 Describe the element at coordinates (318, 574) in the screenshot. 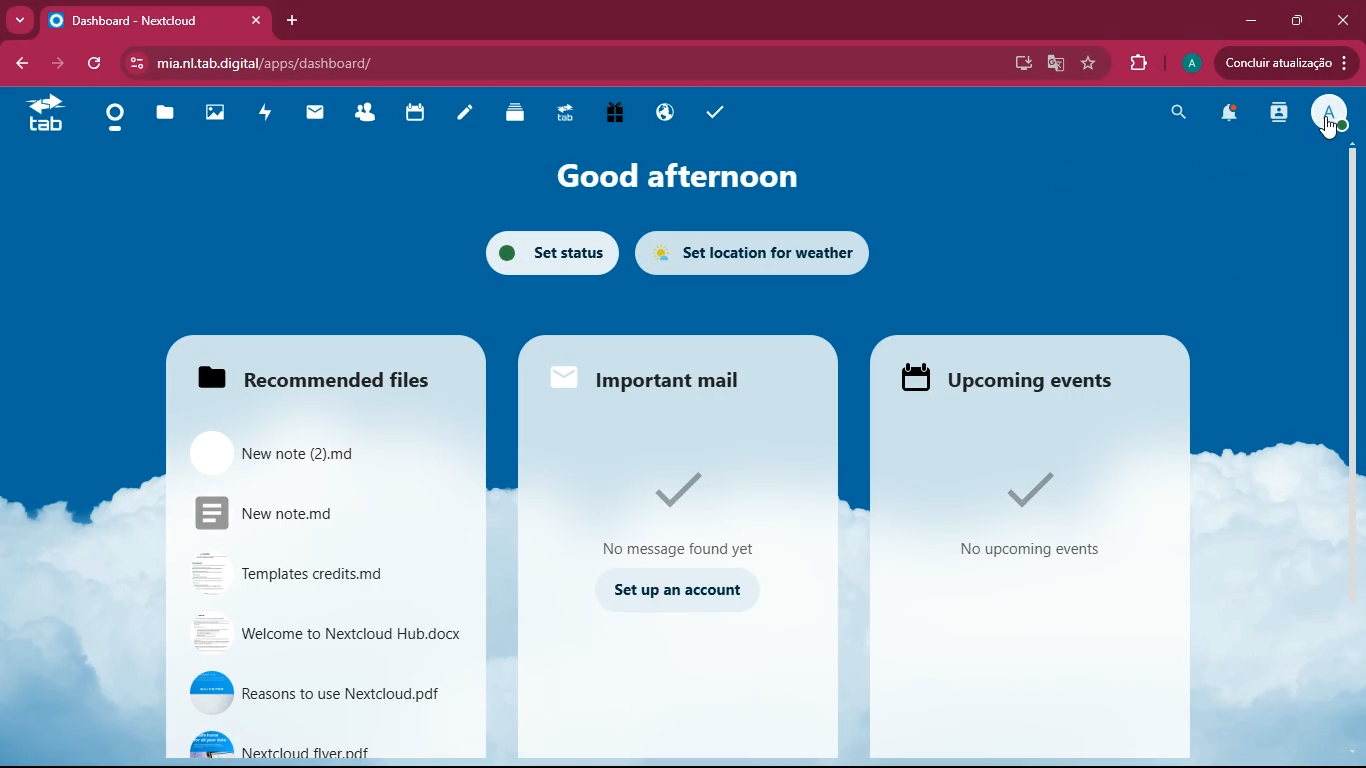

I see `file` at that location.